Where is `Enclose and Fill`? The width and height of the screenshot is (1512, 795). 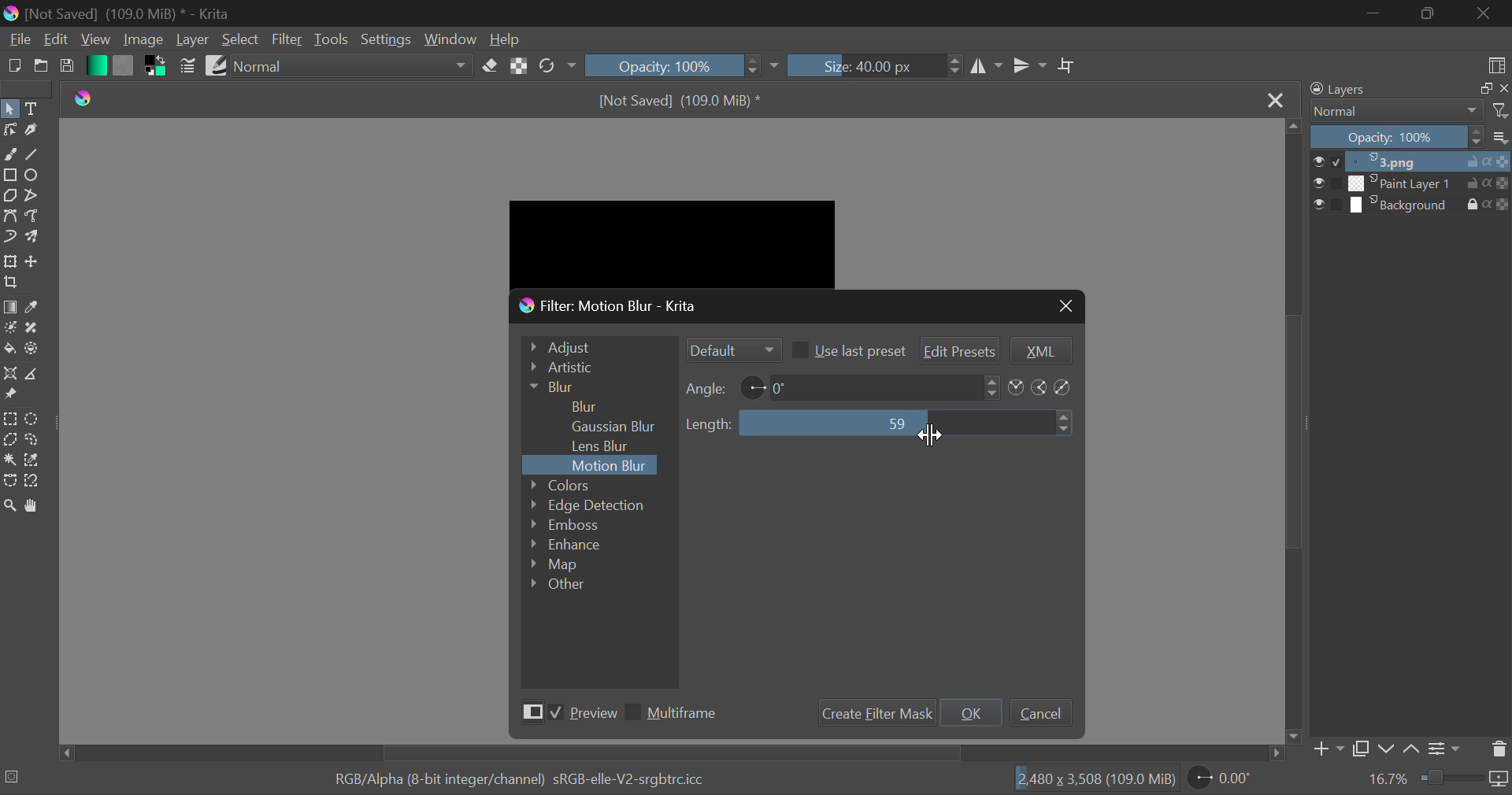
Enclose and Fill is located at coordinates (33, 351).